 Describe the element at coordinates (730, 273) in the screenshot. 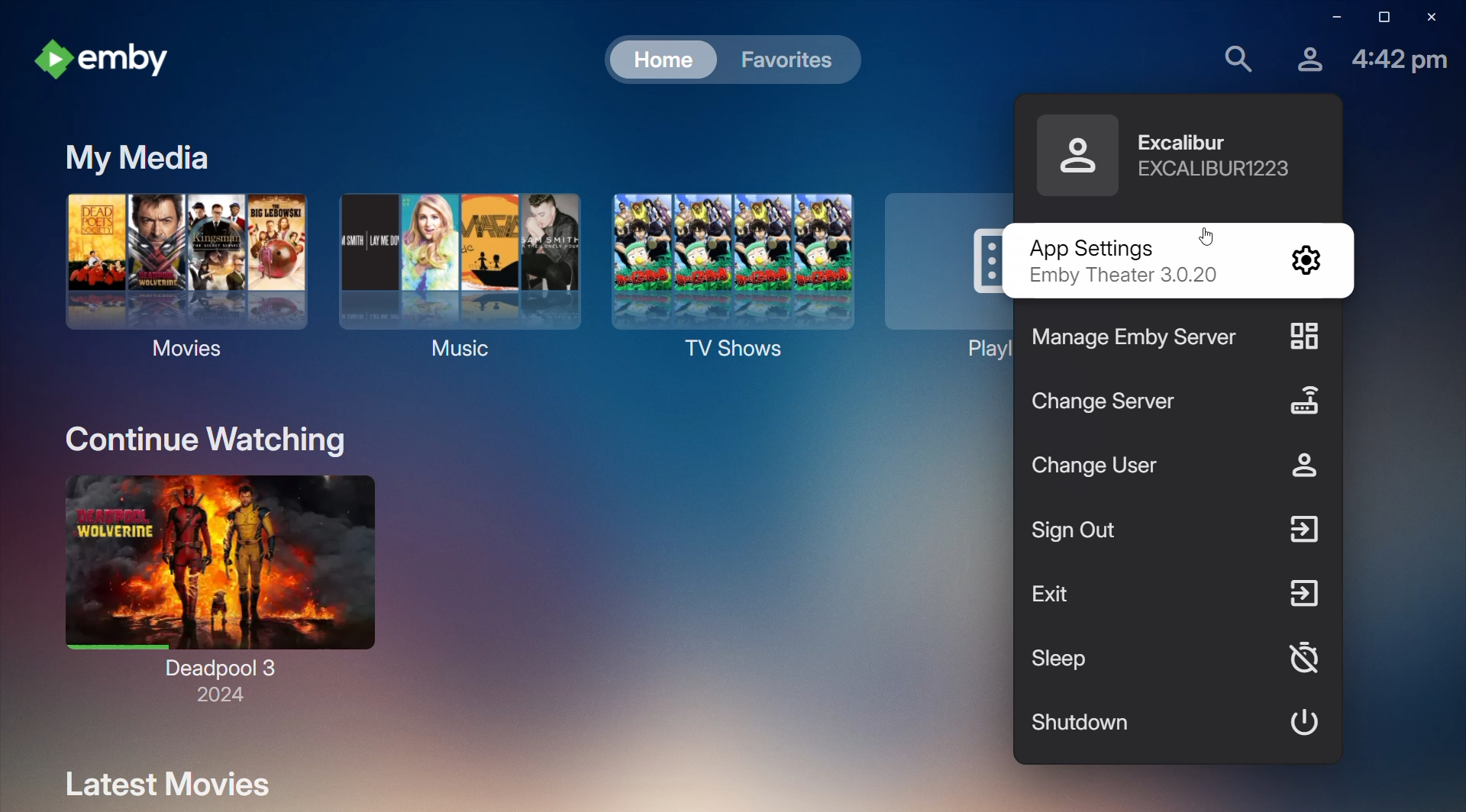

I see `TV Shows` at that location.